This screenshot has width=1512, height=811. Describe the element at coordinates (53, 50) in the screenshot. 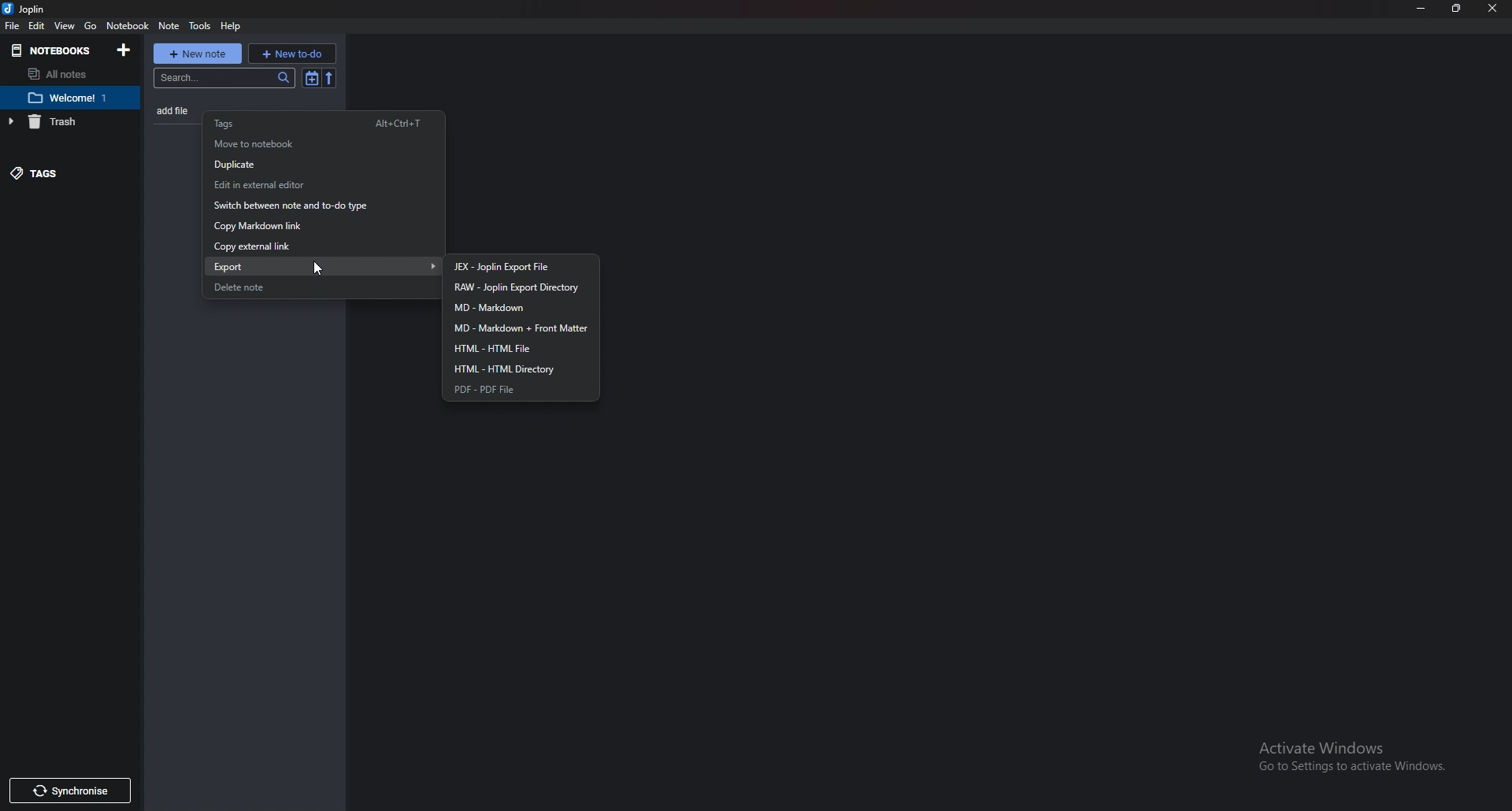

I see `Notebooks` at that location.